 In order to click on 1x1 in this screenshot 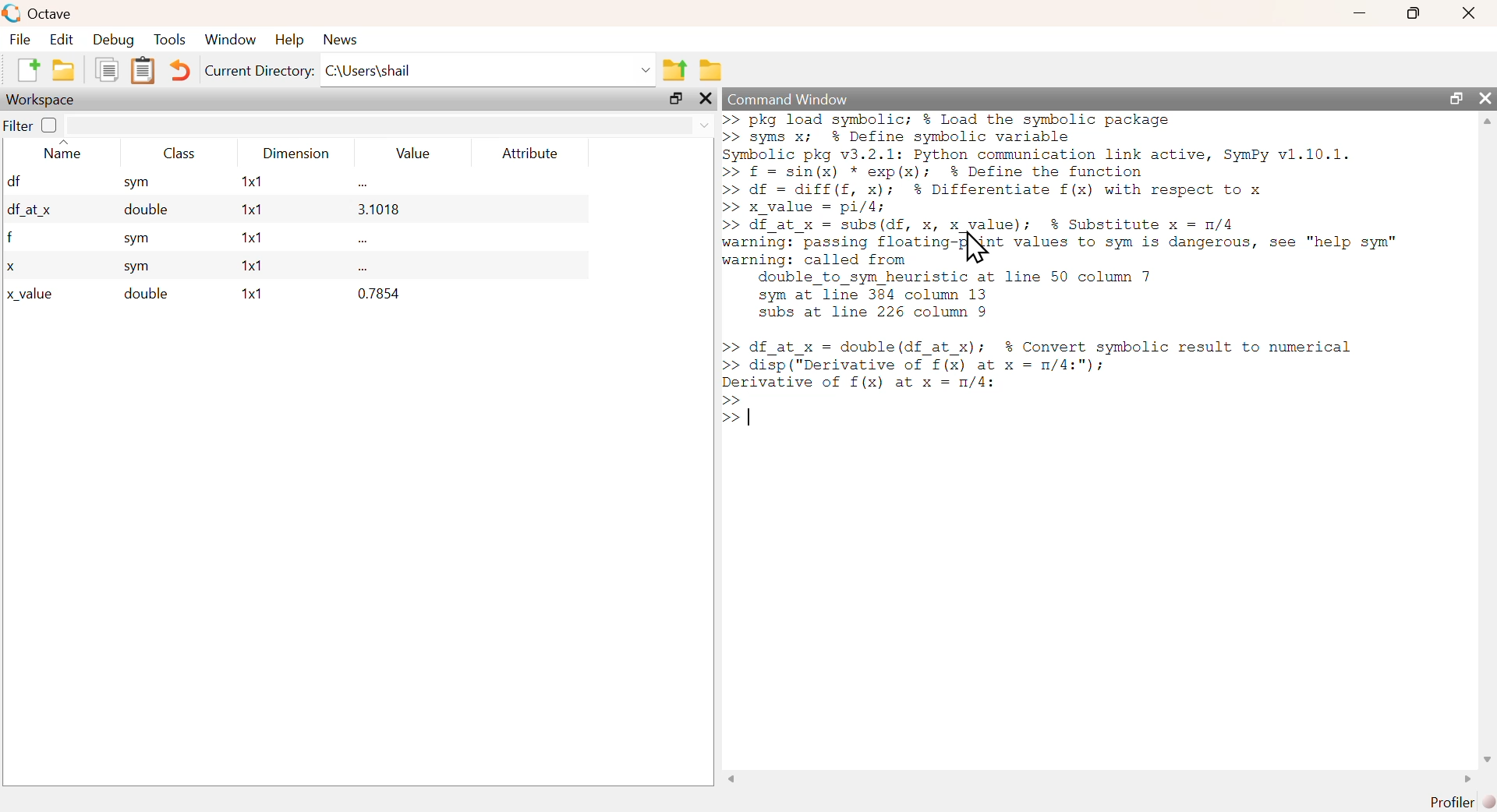, I will do `click(251, 183)`.